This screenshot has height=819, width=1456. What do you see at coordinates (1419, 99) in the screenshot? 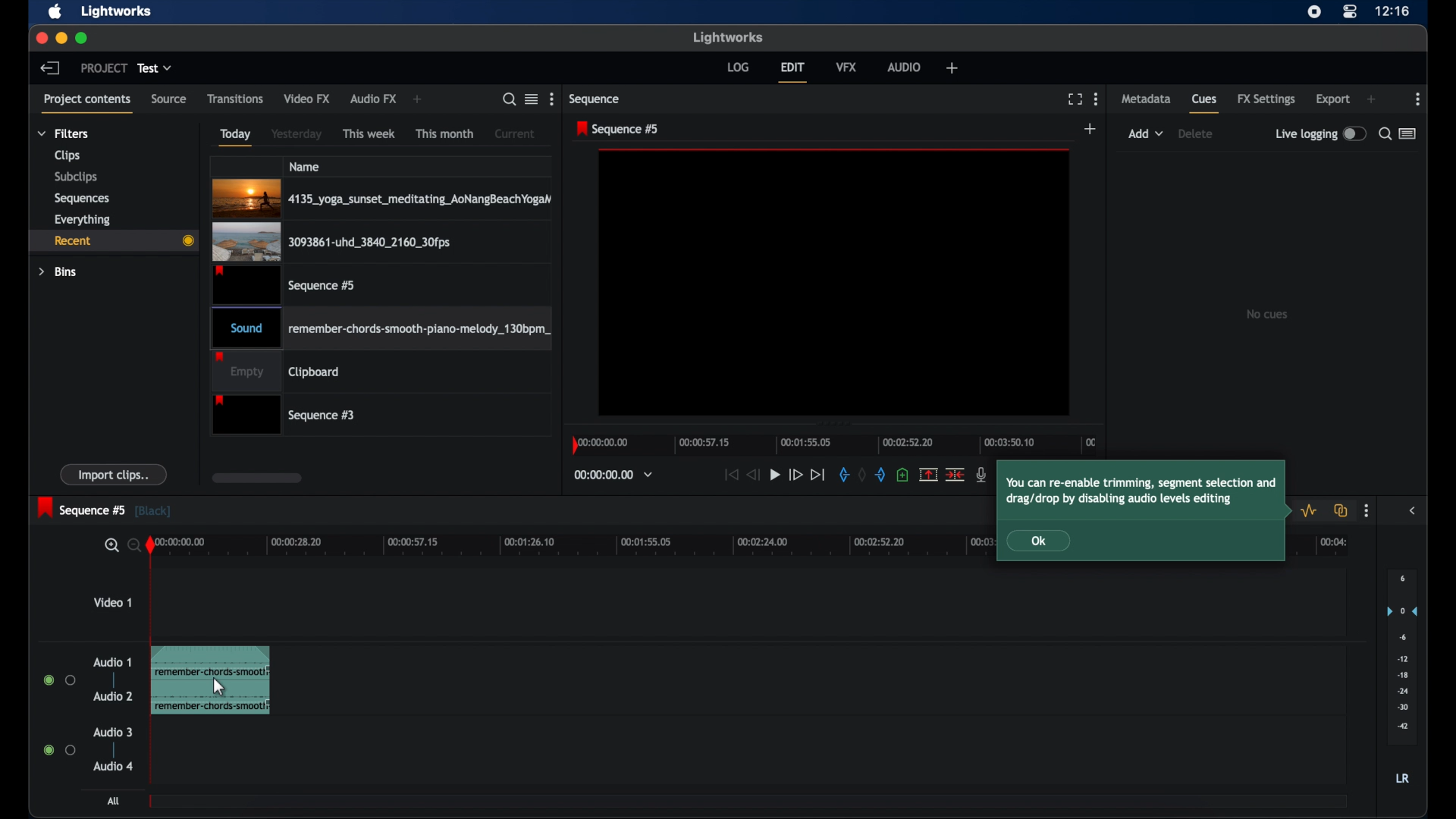
I see `more options` at bounding box center [1419, 99].